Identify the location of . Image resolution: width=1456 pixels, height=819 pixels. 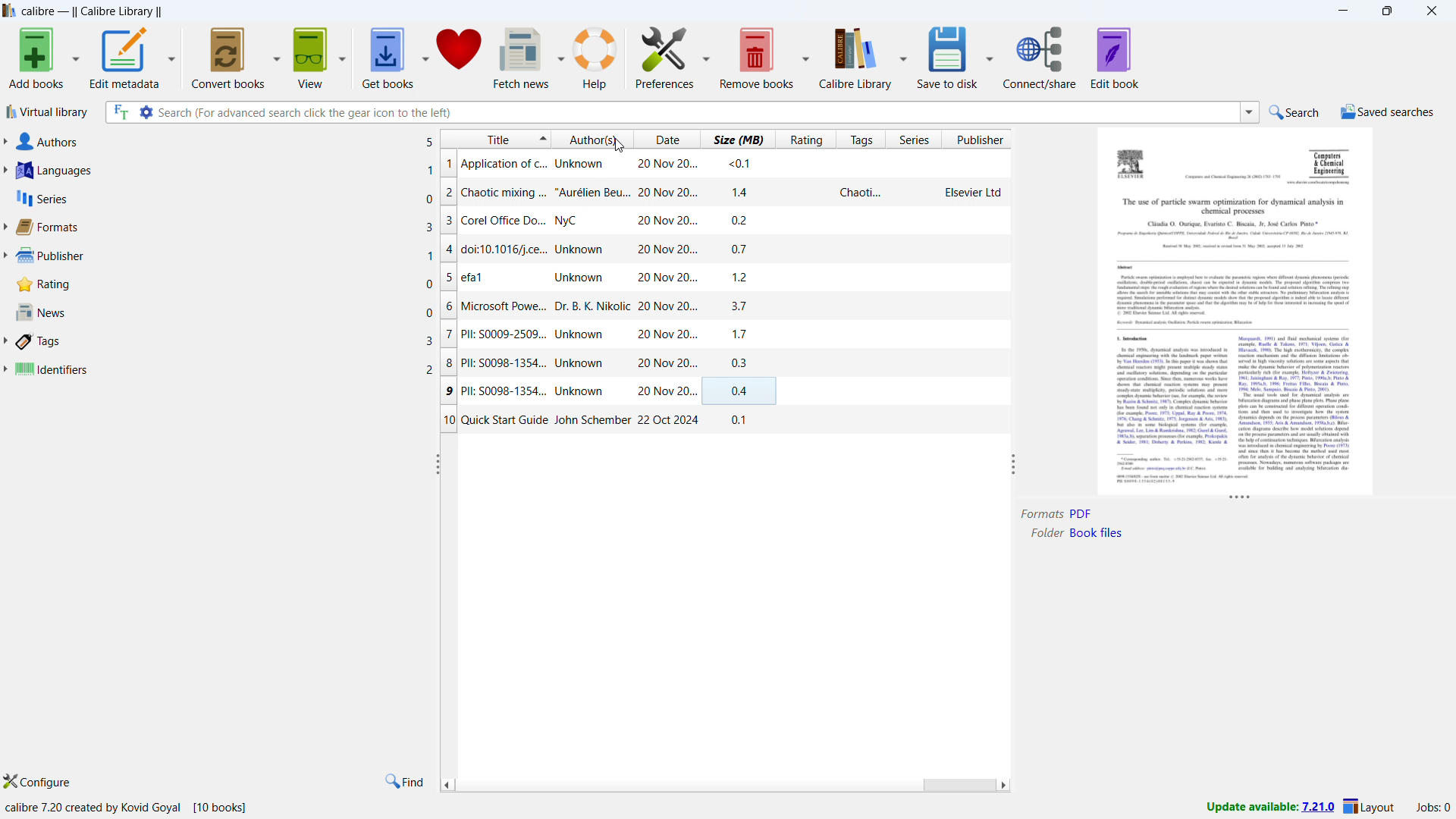
(1233, 300).